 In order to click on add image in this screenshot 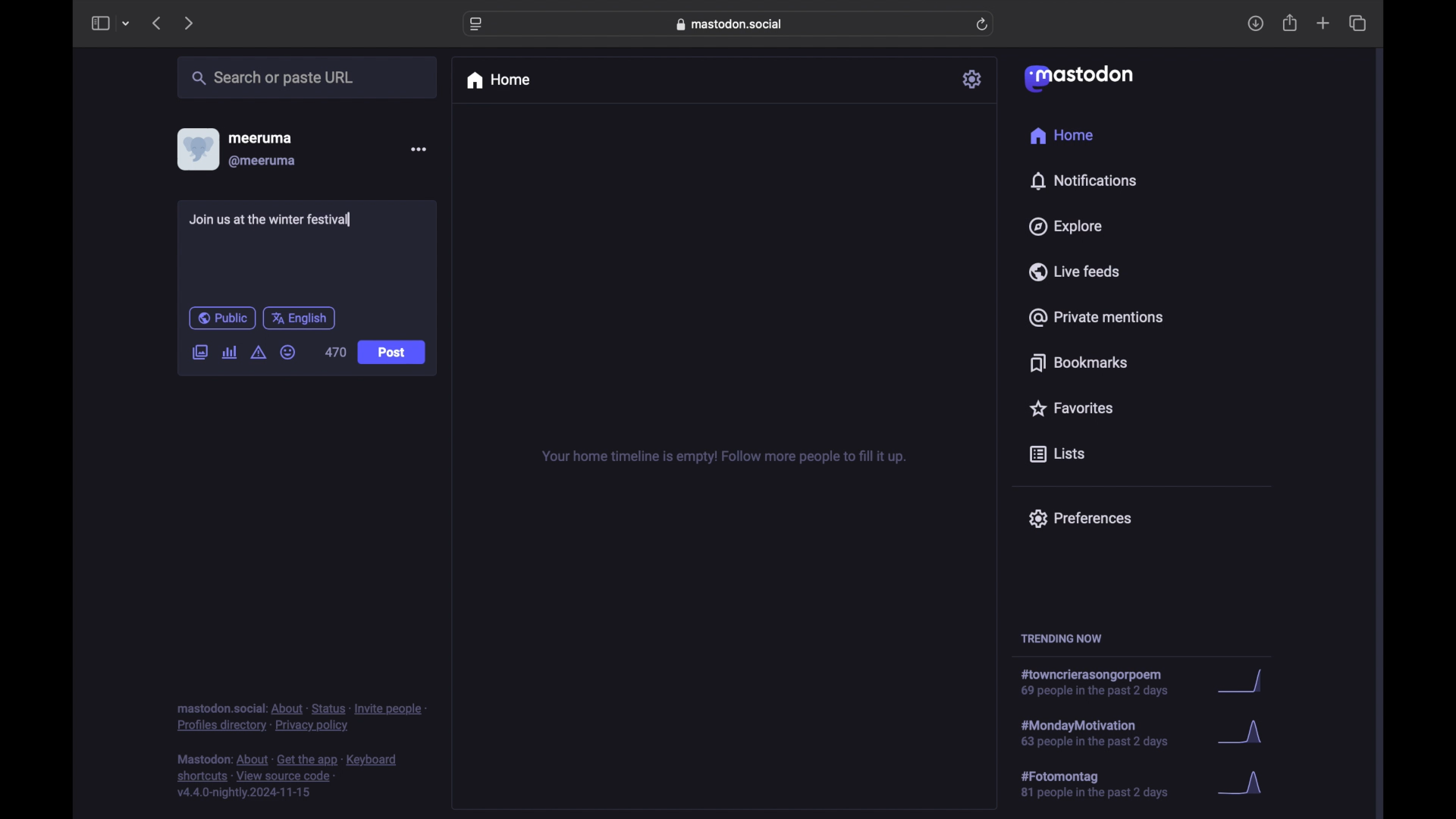, I will do `click(199, 353)`.